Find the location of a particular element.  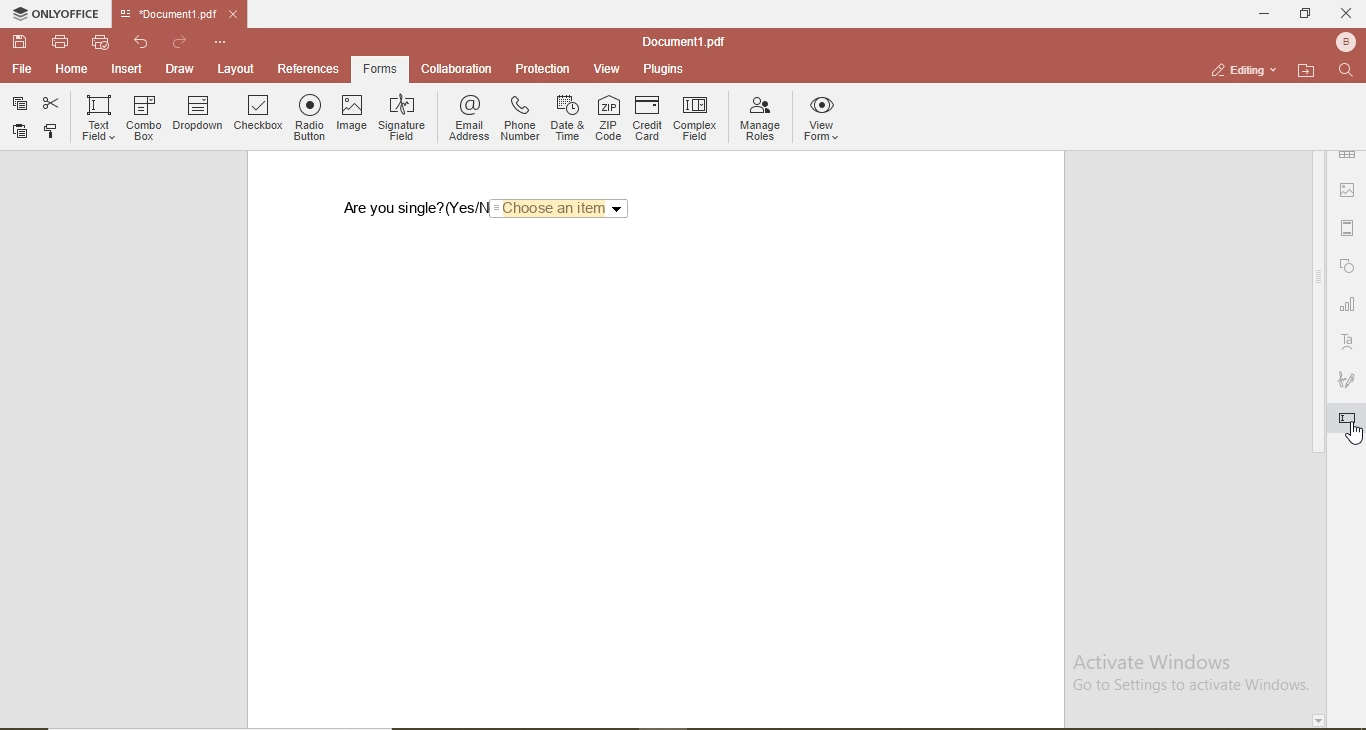

Activate Windows
Go to Settings to activate Windows is located at coordinates (1185, 679).